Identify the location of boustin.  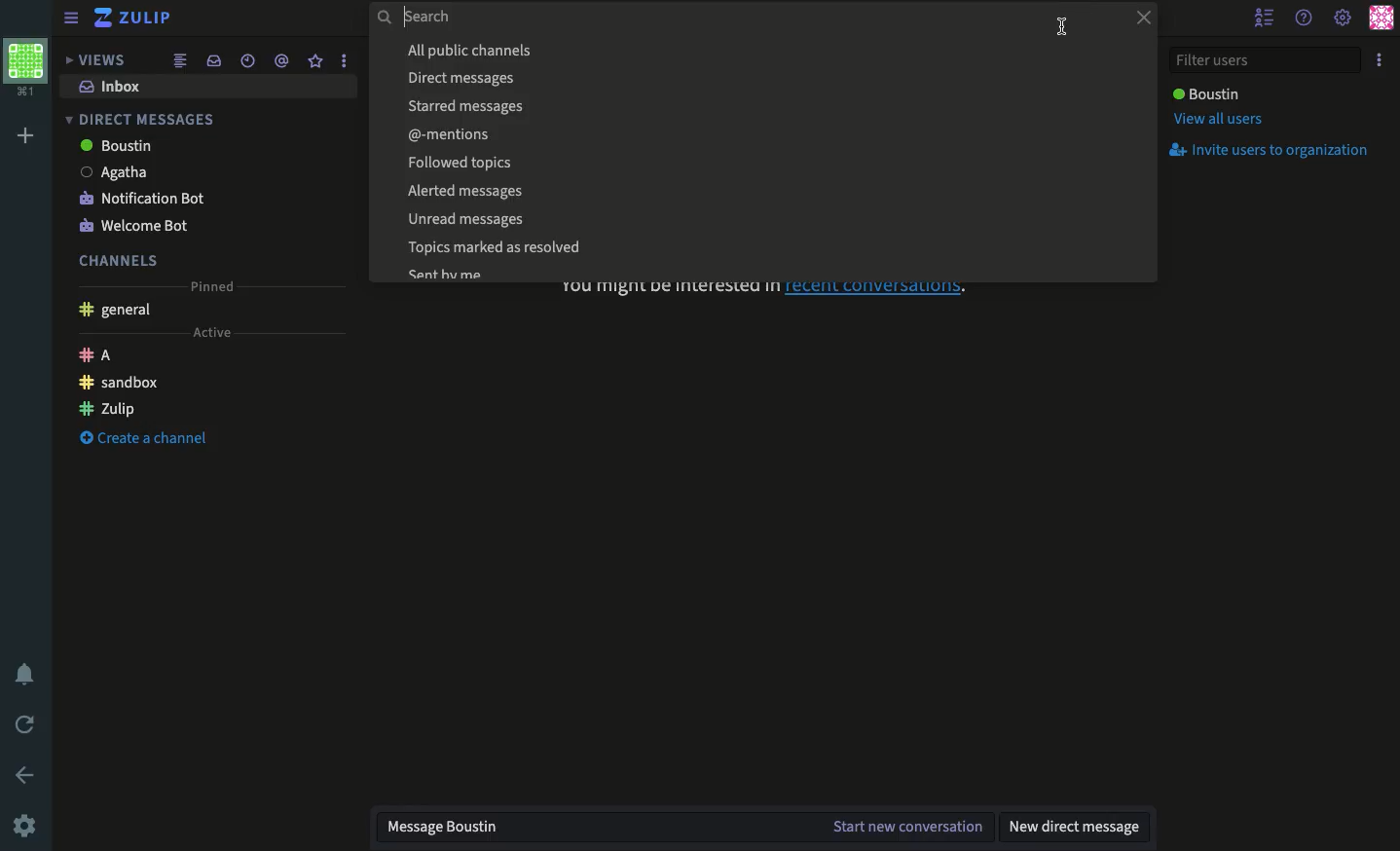
(122, 147).